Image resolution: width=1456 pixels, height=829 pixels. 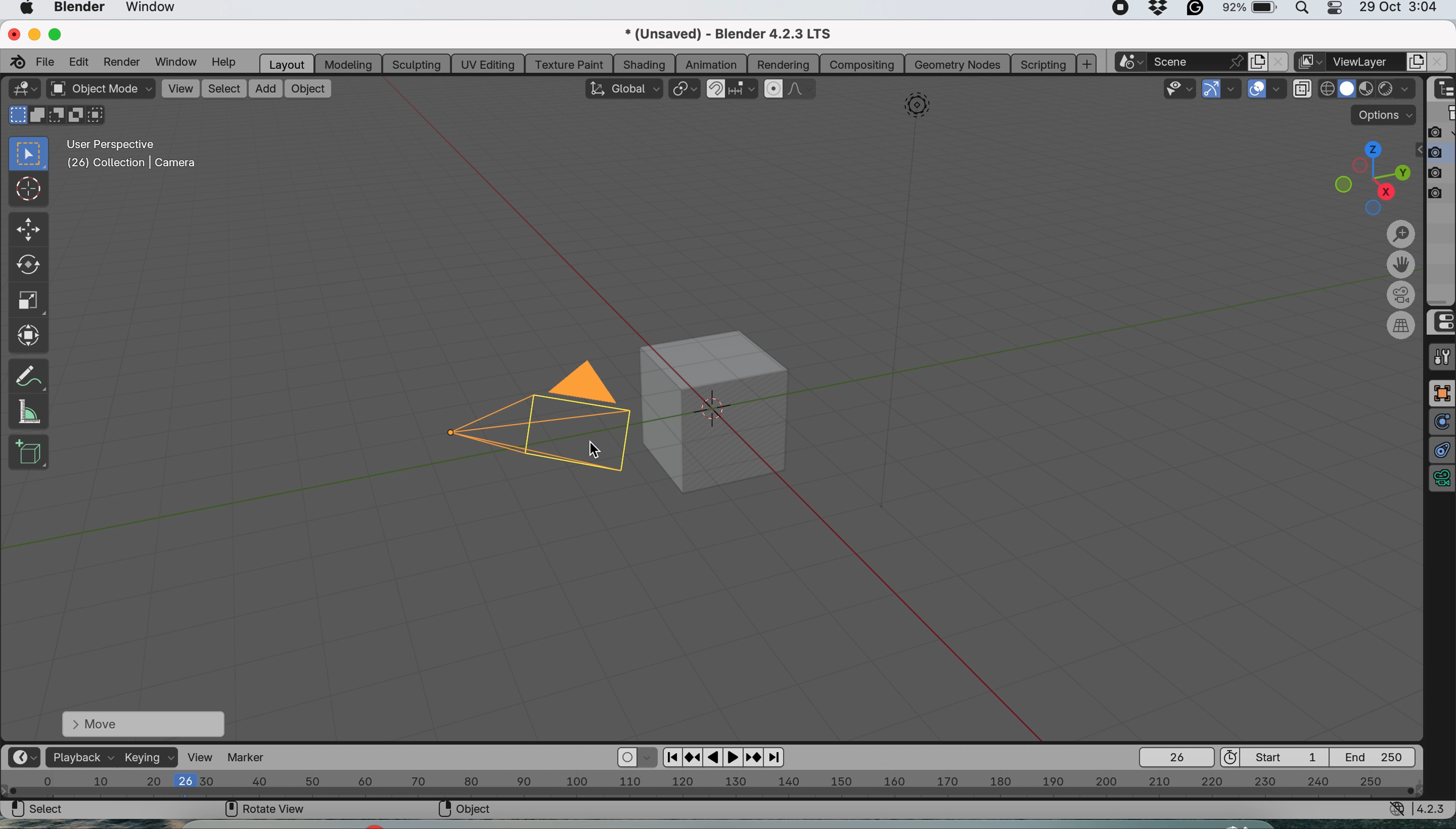 I want to click on move, so click(x=27, y=230).